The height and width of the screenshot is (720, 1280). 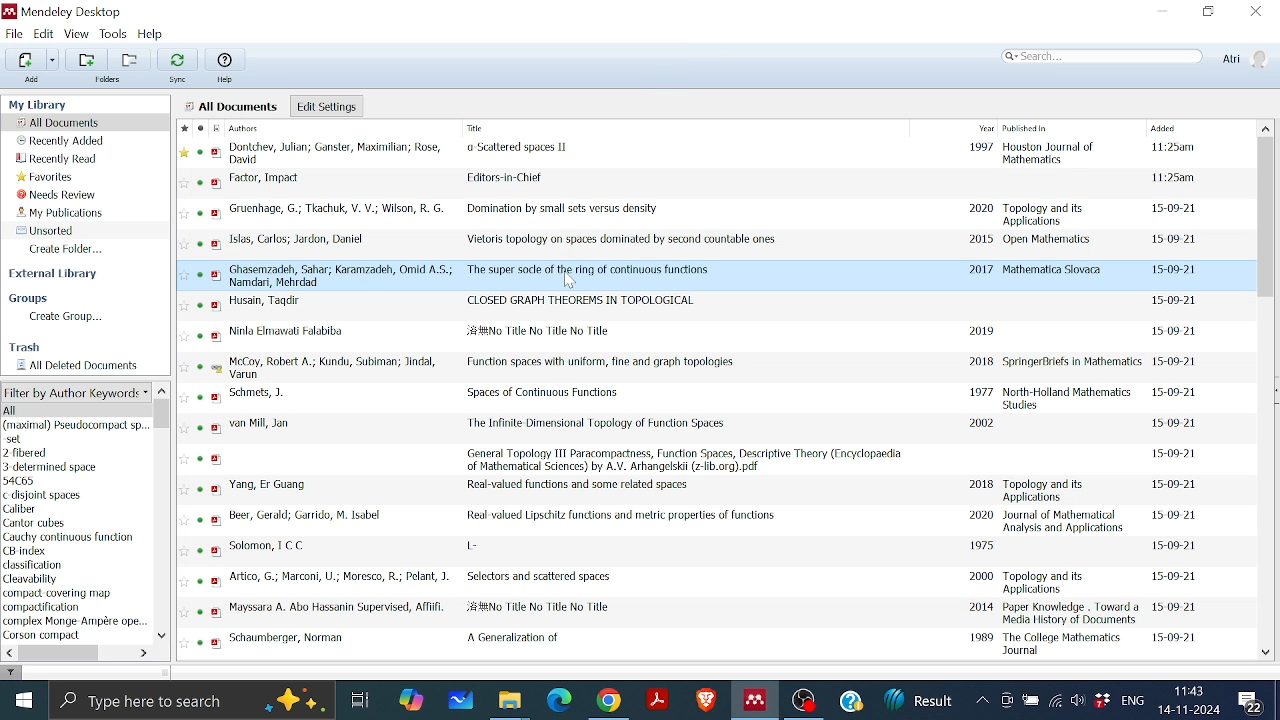 I want to click on The super socle of the ring of continuous functions, so click(x=705, y=275).